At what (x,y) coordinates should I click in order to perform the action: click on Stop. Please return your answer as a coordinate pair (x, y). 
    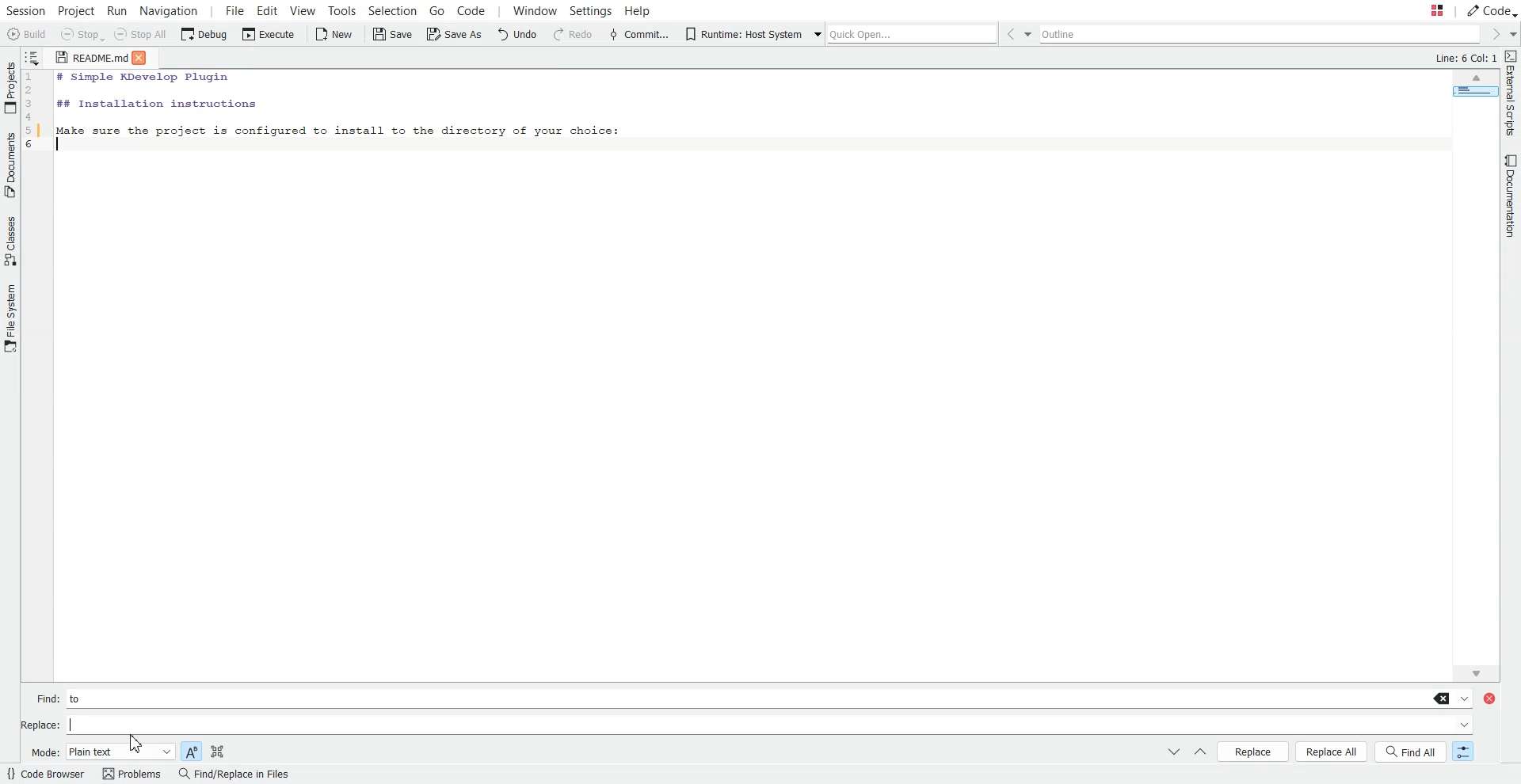
    Looking at the image, I should click on (82, 36).